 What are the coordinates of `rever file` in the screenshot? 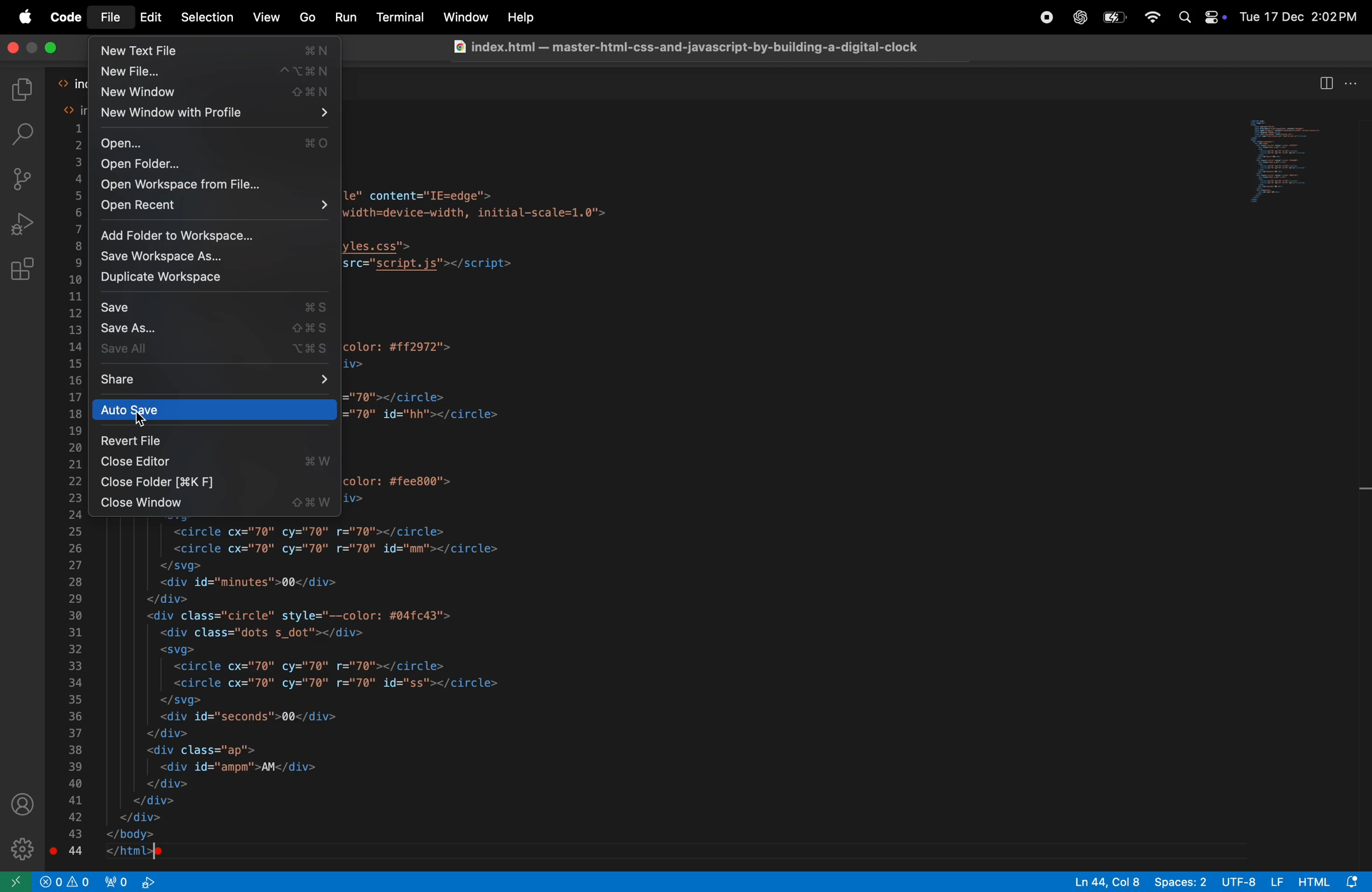 It's located at (214, 441).